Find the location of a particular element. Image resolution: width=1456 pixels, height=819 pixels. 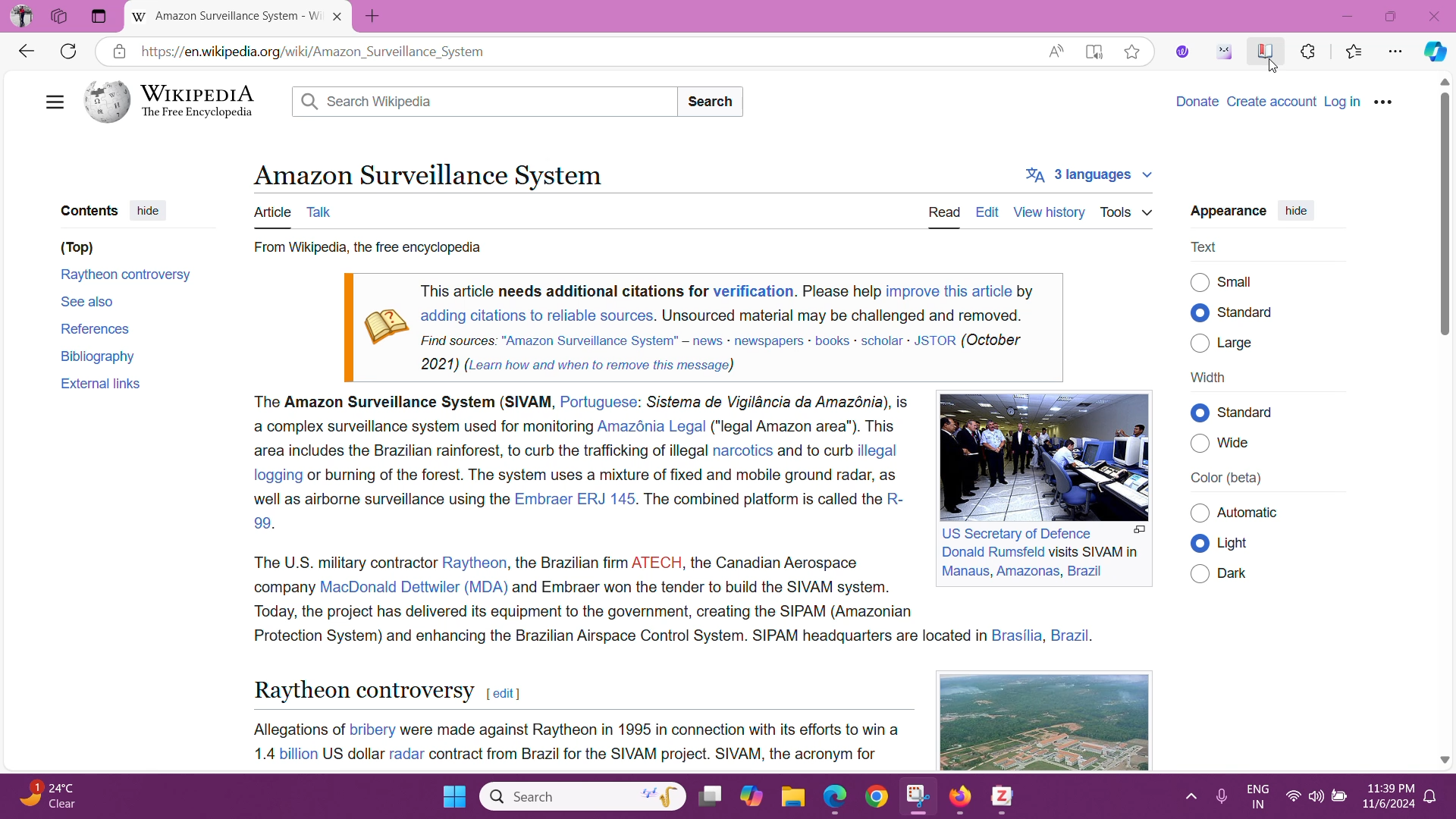

Sistema de Vigilancia da Amazénia), is is located at coordinates (778, 401).